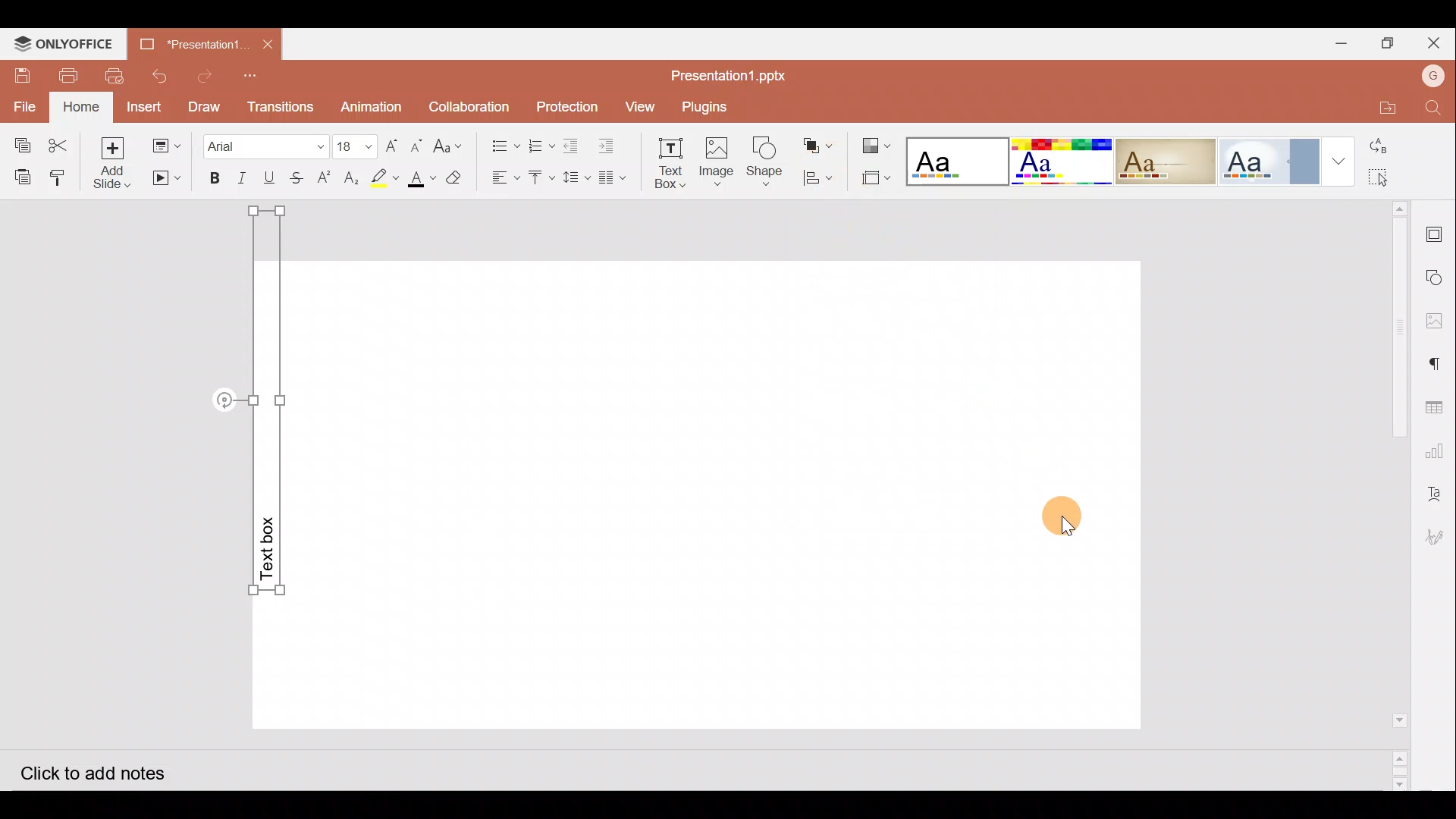  Describe the element at coordinates (470, 105) in the screenshot. I see `Collaboration` at that location.